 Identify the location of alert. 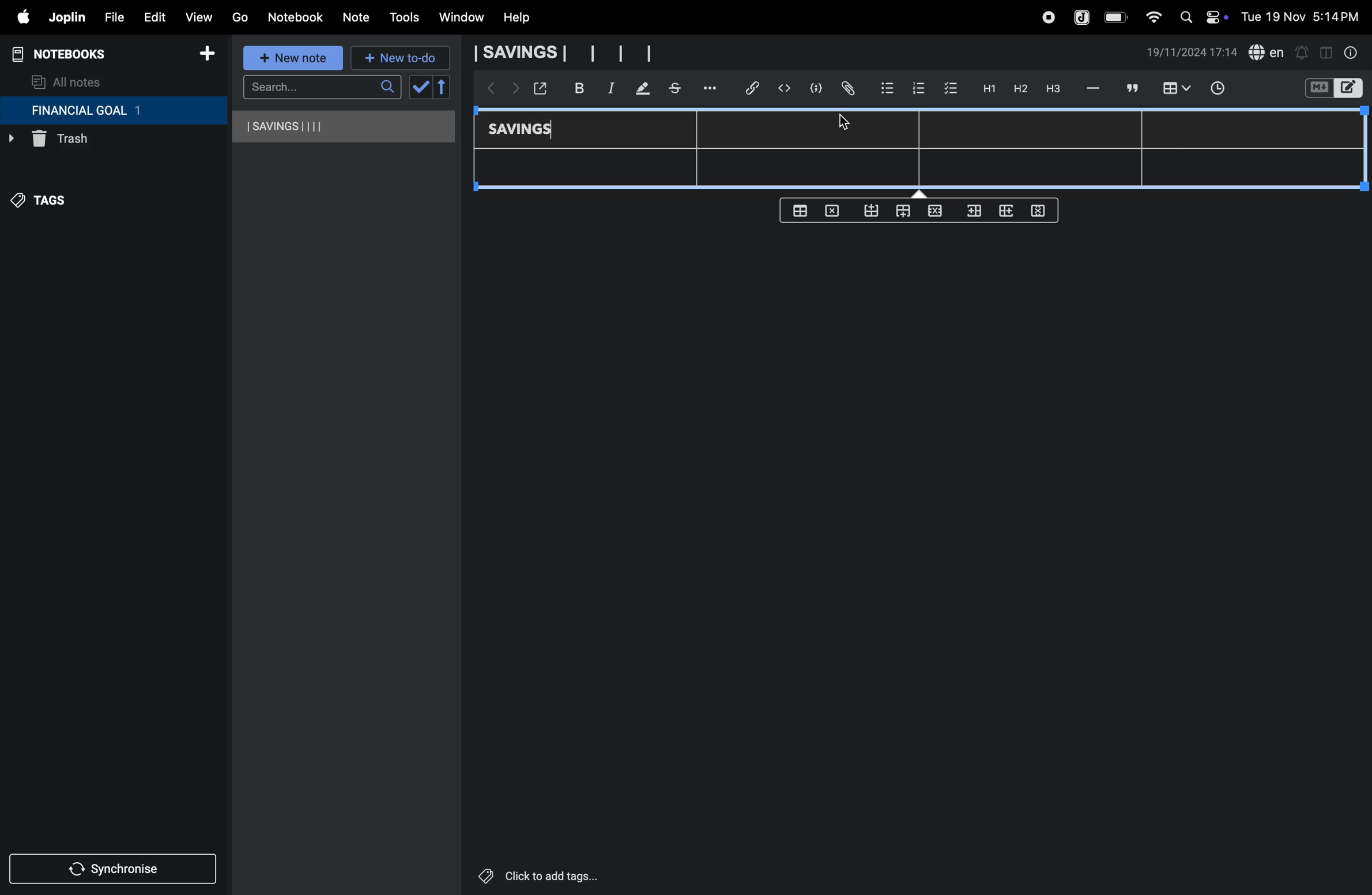
(1301, 52).